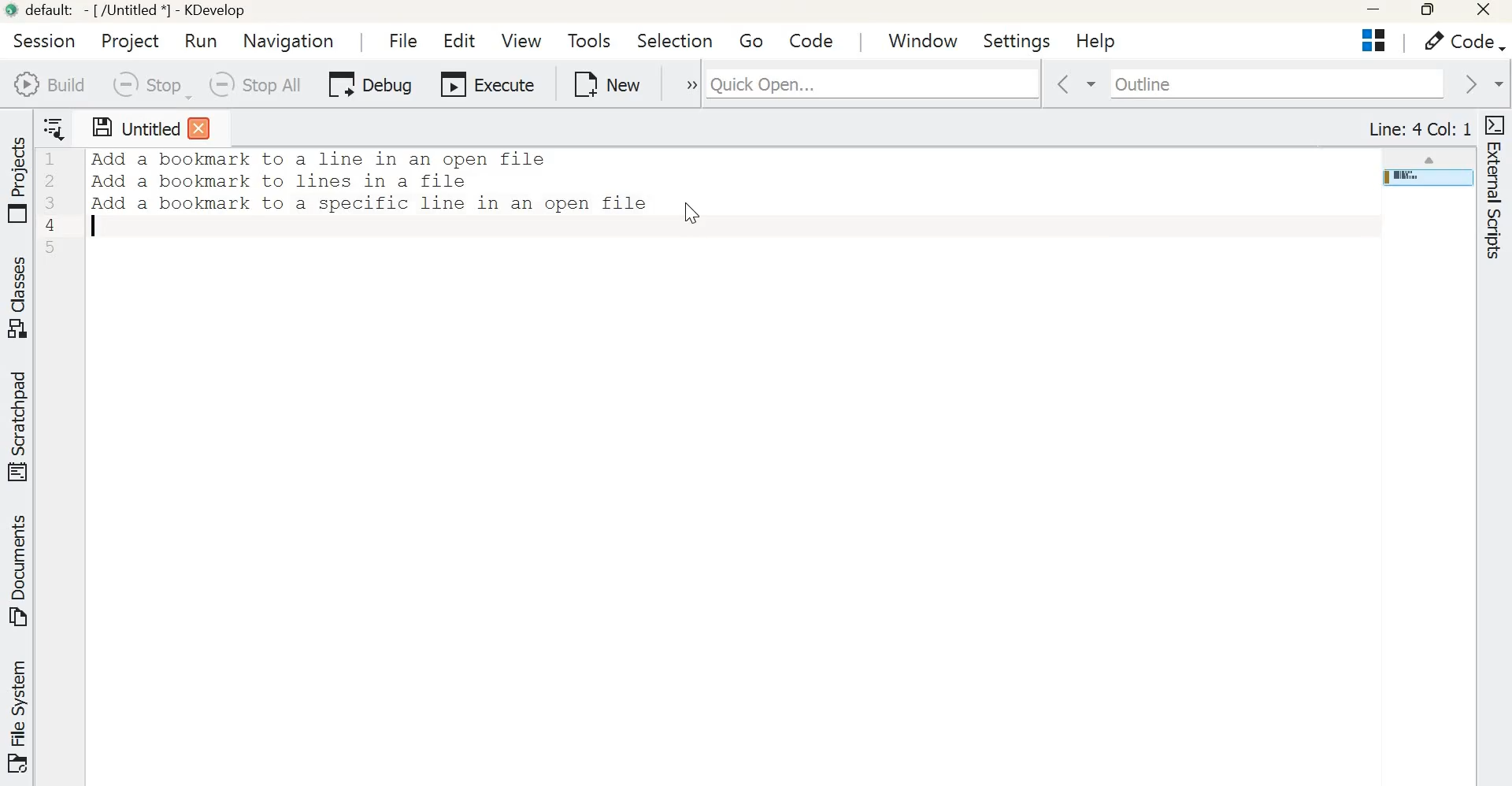 The image size is (1512, 786). I want to click on Stop all, so click(258, 83).